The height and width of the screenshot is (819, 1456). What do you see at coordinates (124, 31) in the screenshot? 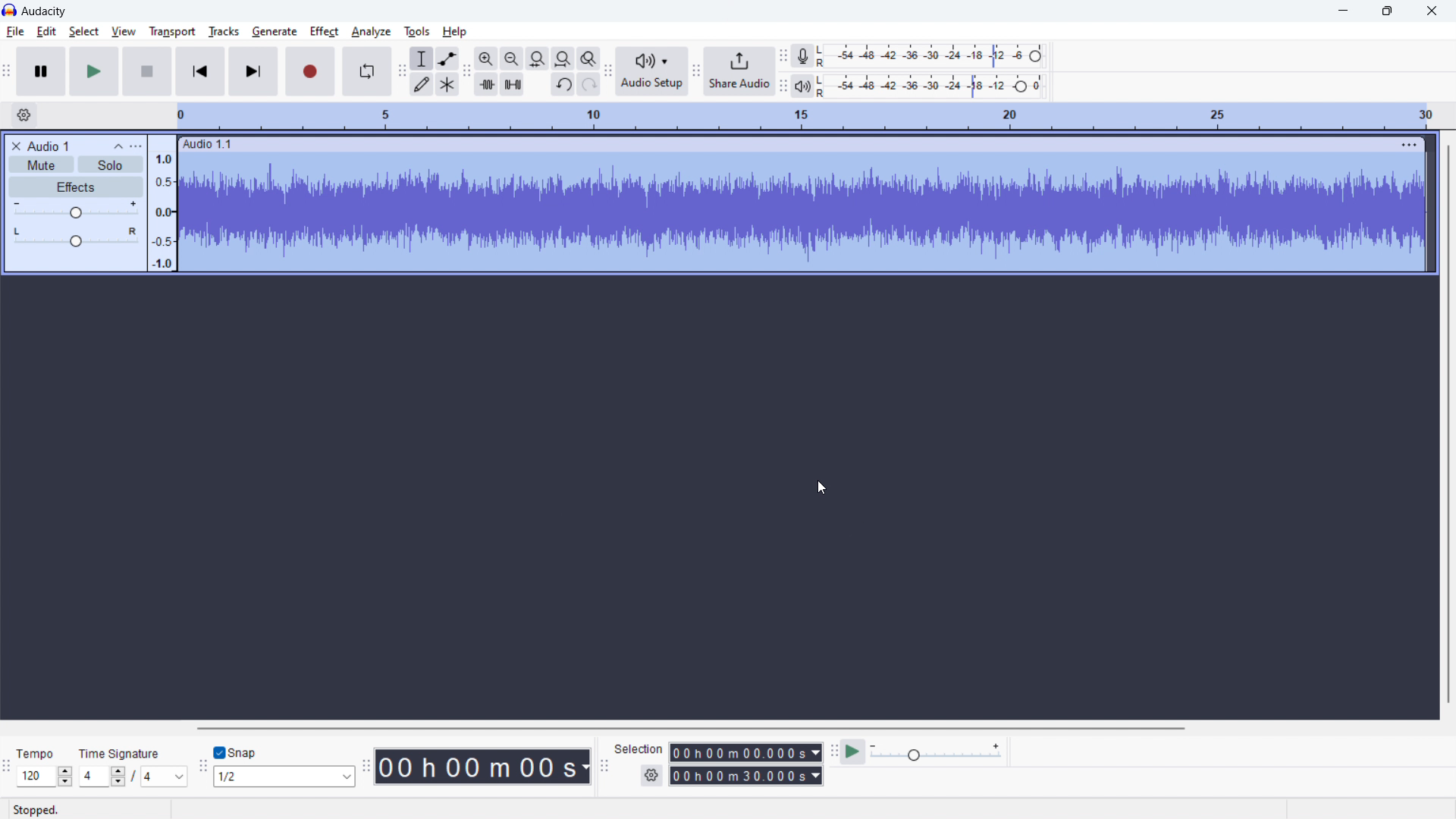
I see `view` at bounding box center [124, 31].